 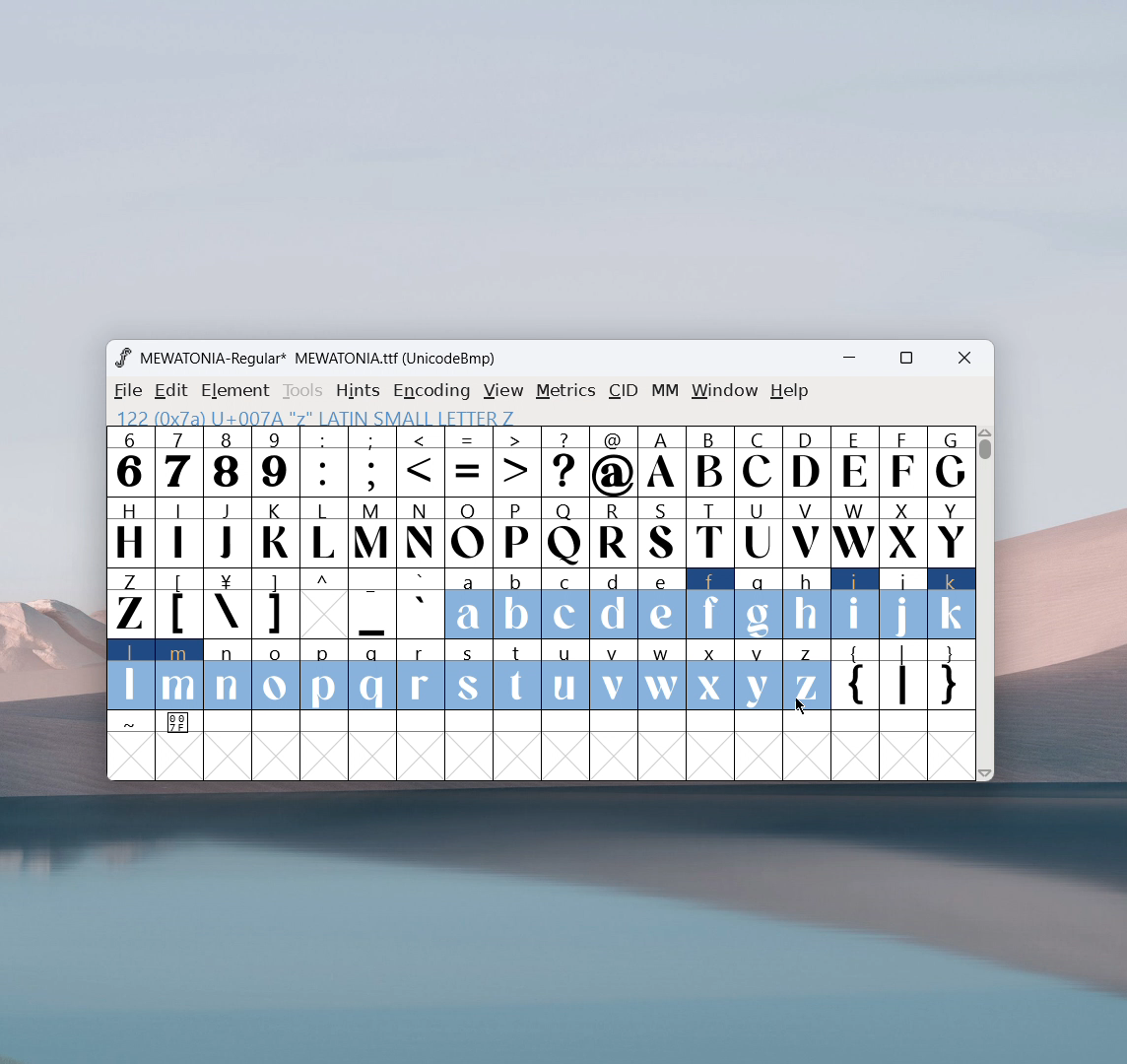 I want to click on <, so click(x=423, y=463).